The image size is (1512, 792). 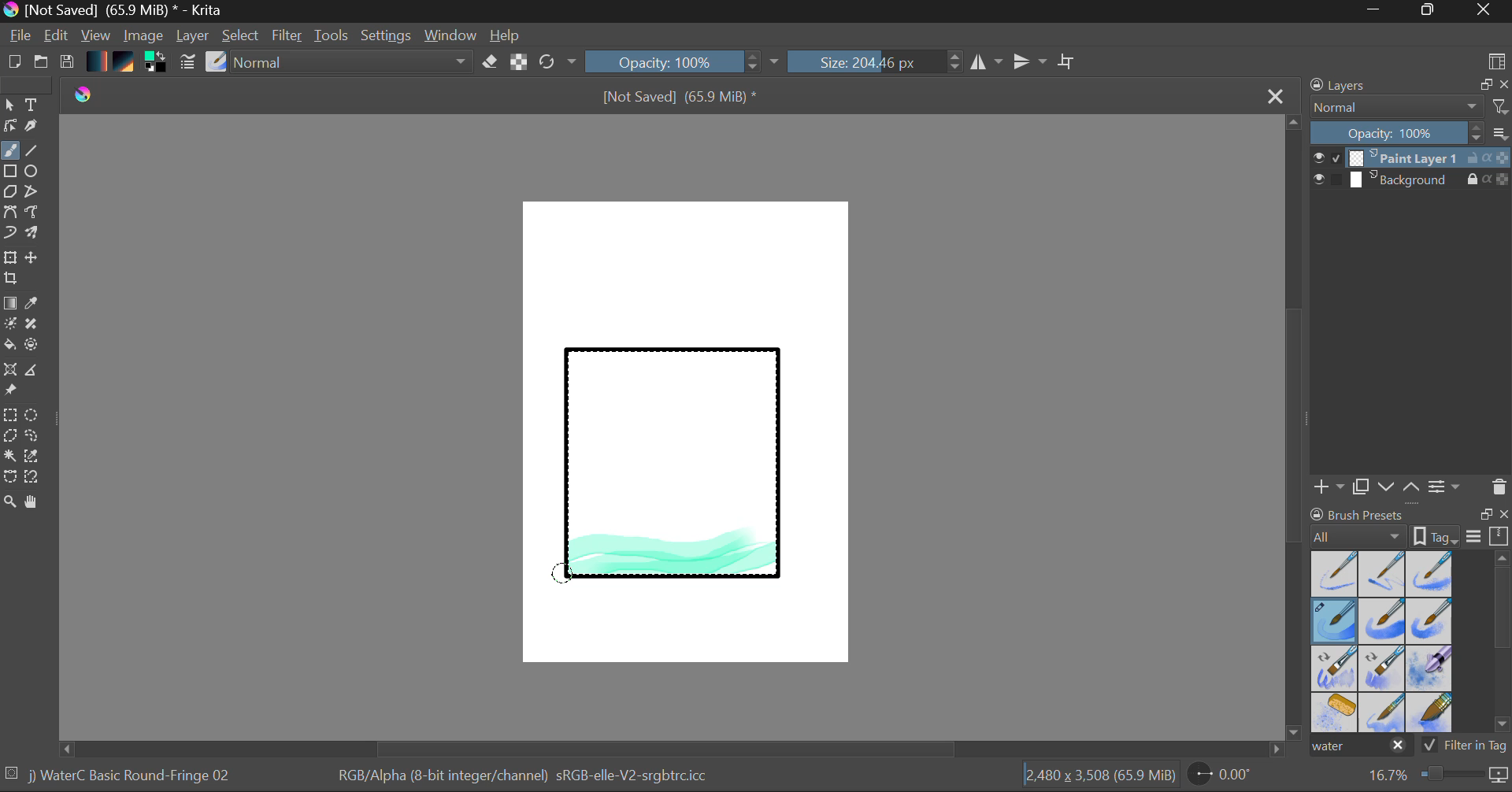 What do you see at coordinates (9, 233) in the screenshot?
I see `Dynamic Brush` at bounding box center [9, 233].